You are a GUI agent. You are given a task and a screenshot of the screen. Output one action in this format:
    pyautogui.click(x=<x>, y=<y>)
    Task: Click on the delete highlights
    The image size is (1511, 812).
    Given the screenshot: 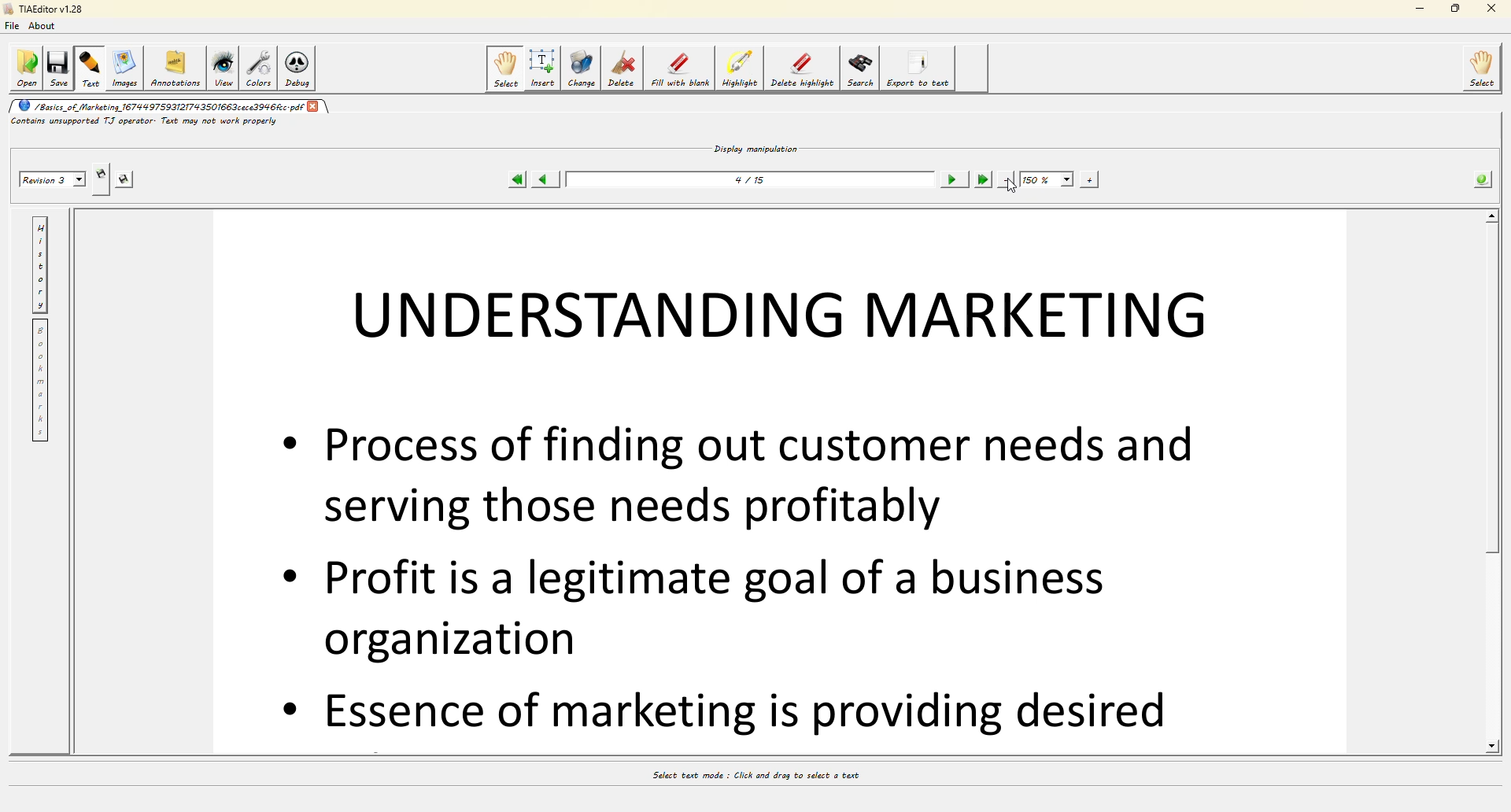 What is the action you would take?
    pyautogui.click(x=801, y=71)
    